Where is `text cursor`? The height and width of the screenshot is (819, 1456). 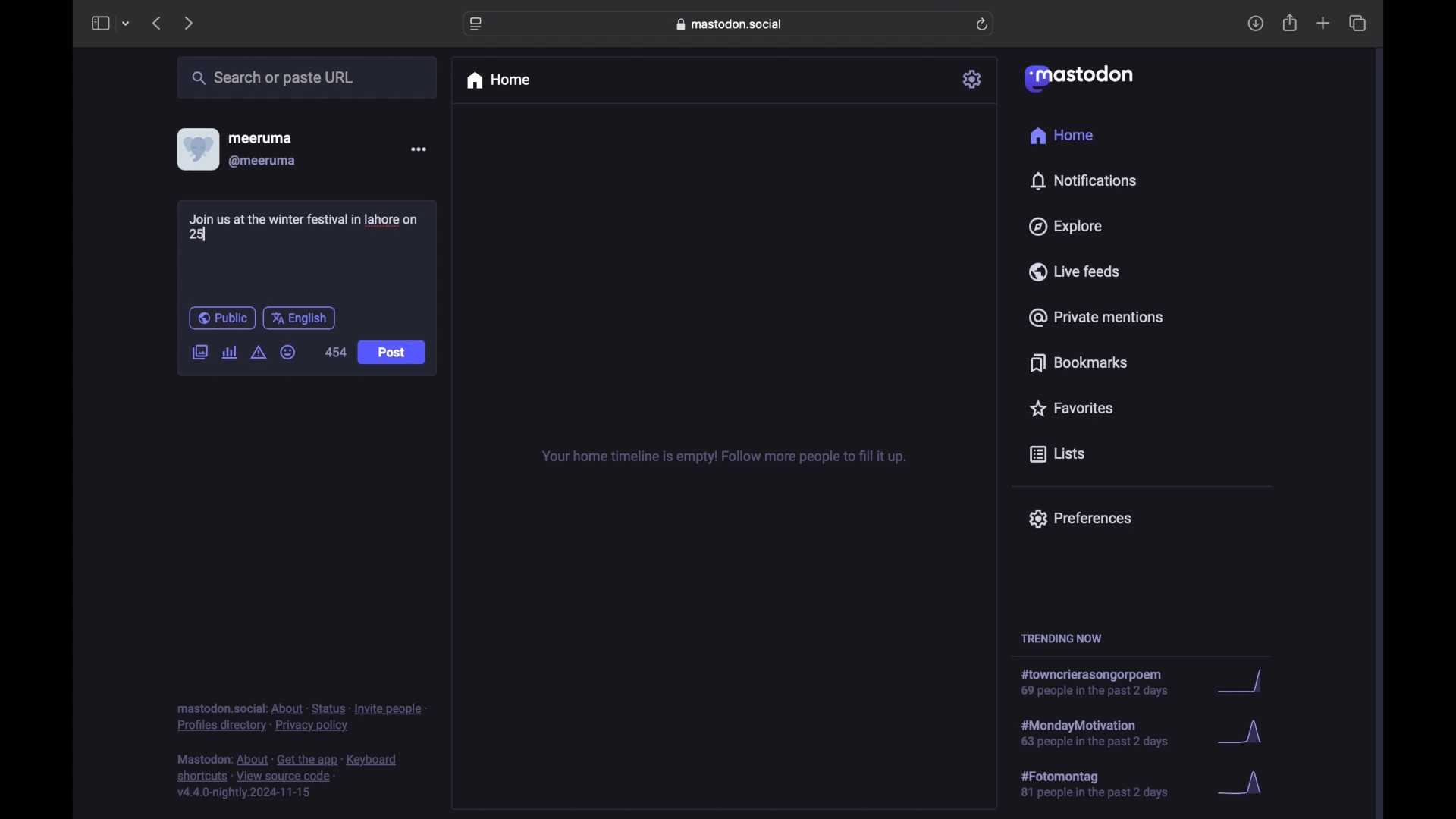
text cursor is located at coordinates (204, 234).